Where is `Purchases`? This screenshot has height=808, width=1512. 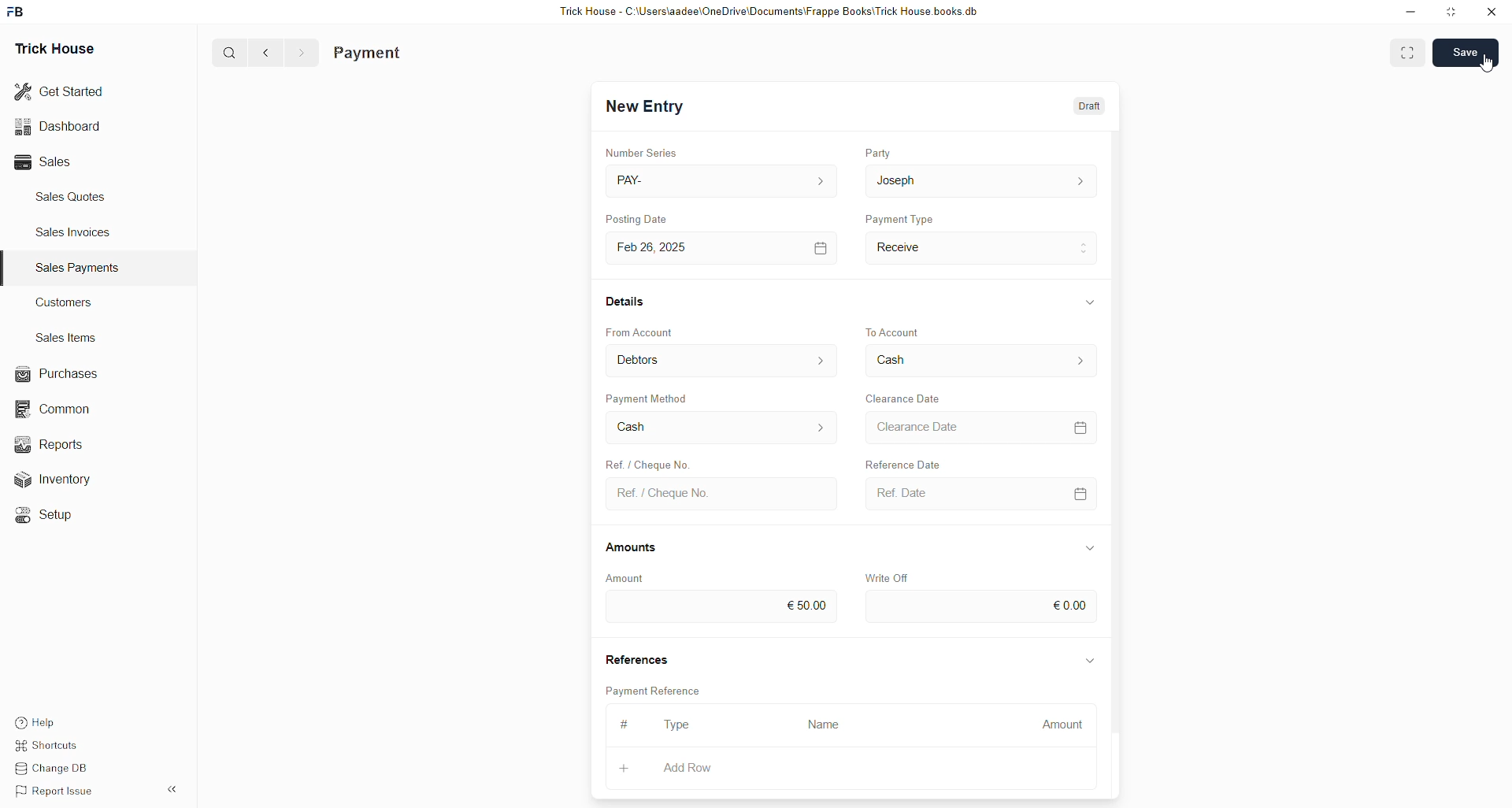 Purchases is located at coordinates (60, 374).